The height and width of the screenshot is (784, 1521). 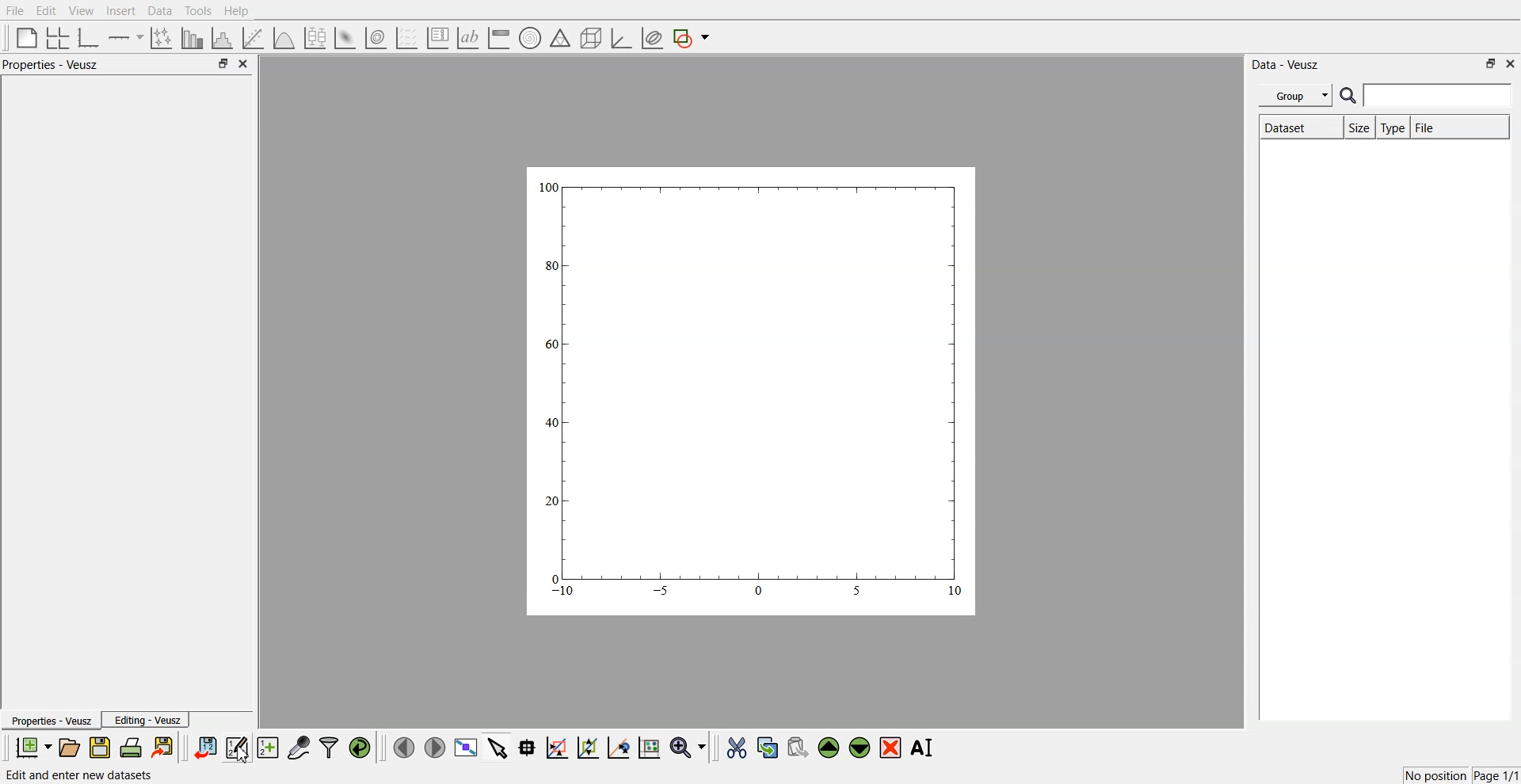 What do you see at coordinates (529, 40) in the screenshot?
I see `polar graph` at bounding box center [529, 40].